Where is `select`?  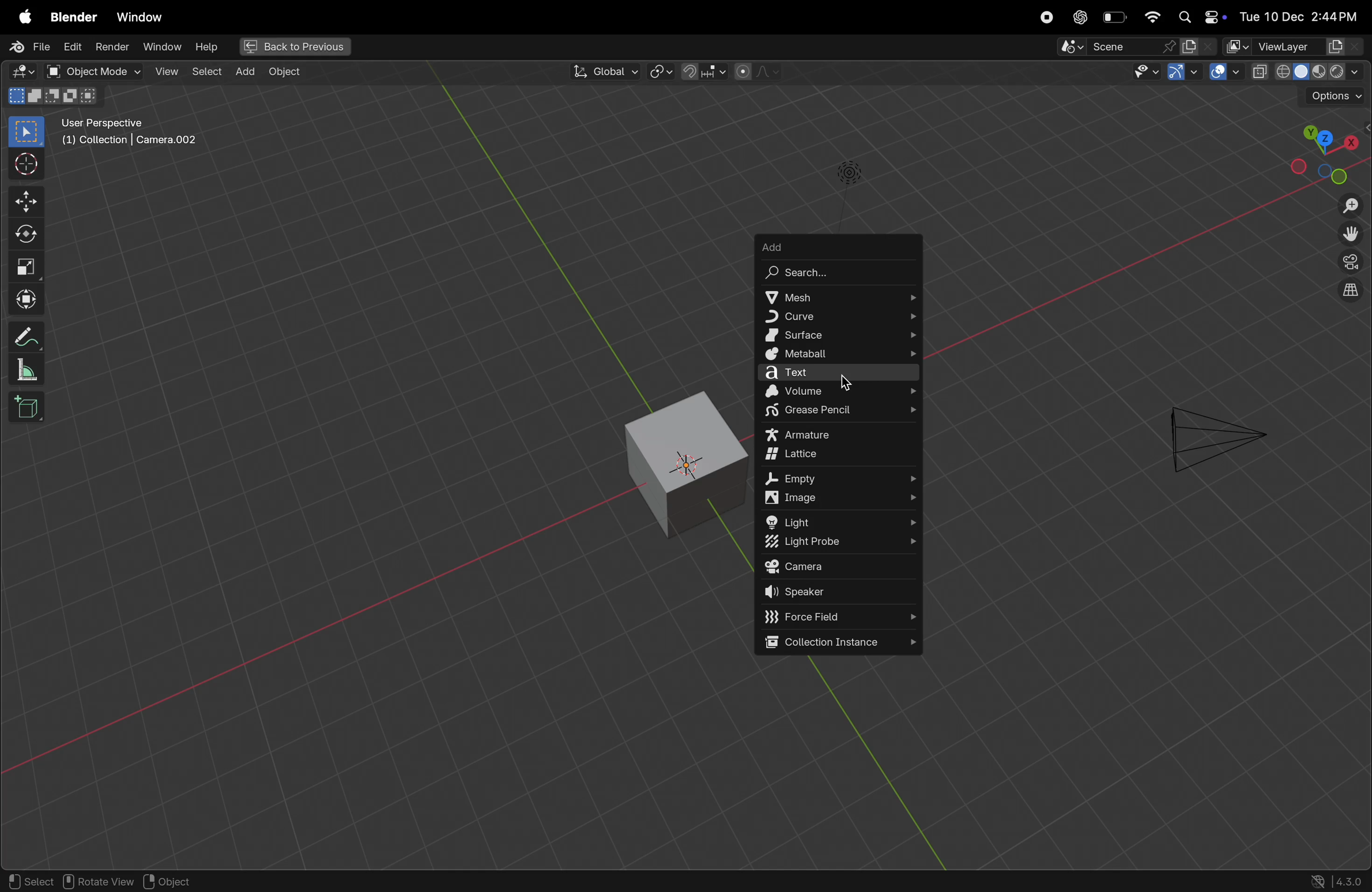
select is located at coordinates (207, 74).